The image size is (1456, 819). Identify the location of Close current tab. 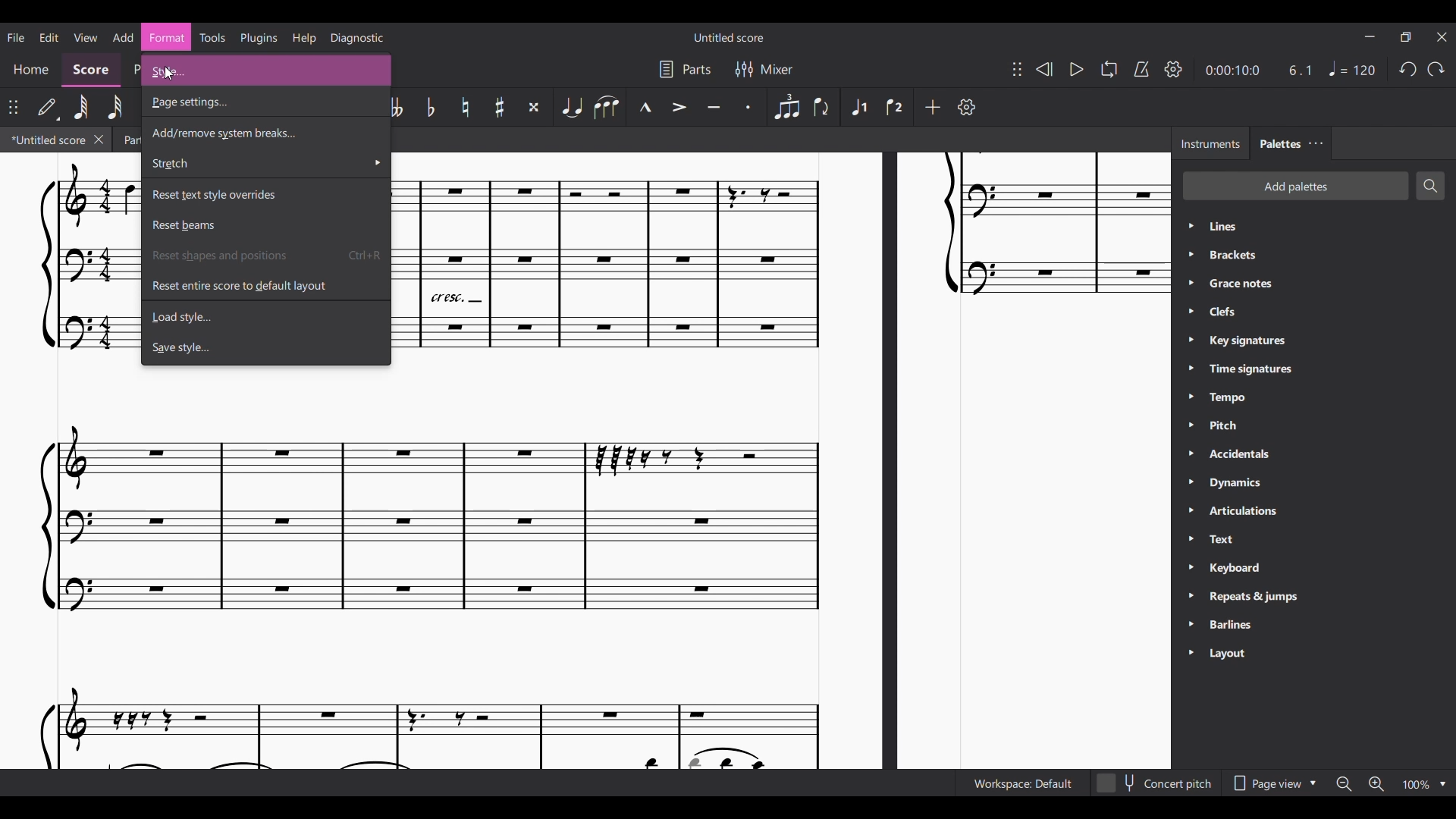
(98, 139).